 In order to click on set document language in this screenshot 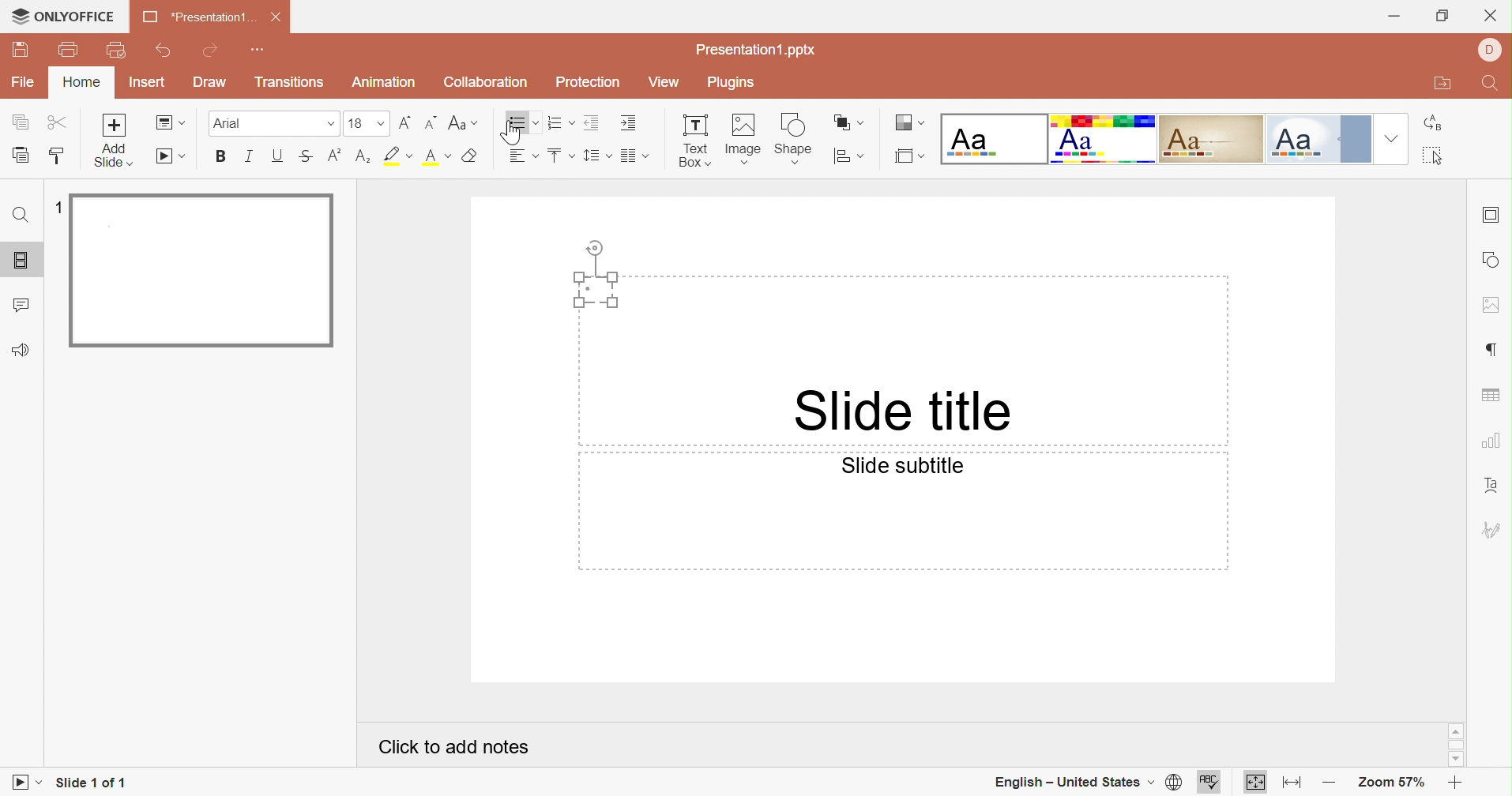, I will do `click(1171, 783)`.